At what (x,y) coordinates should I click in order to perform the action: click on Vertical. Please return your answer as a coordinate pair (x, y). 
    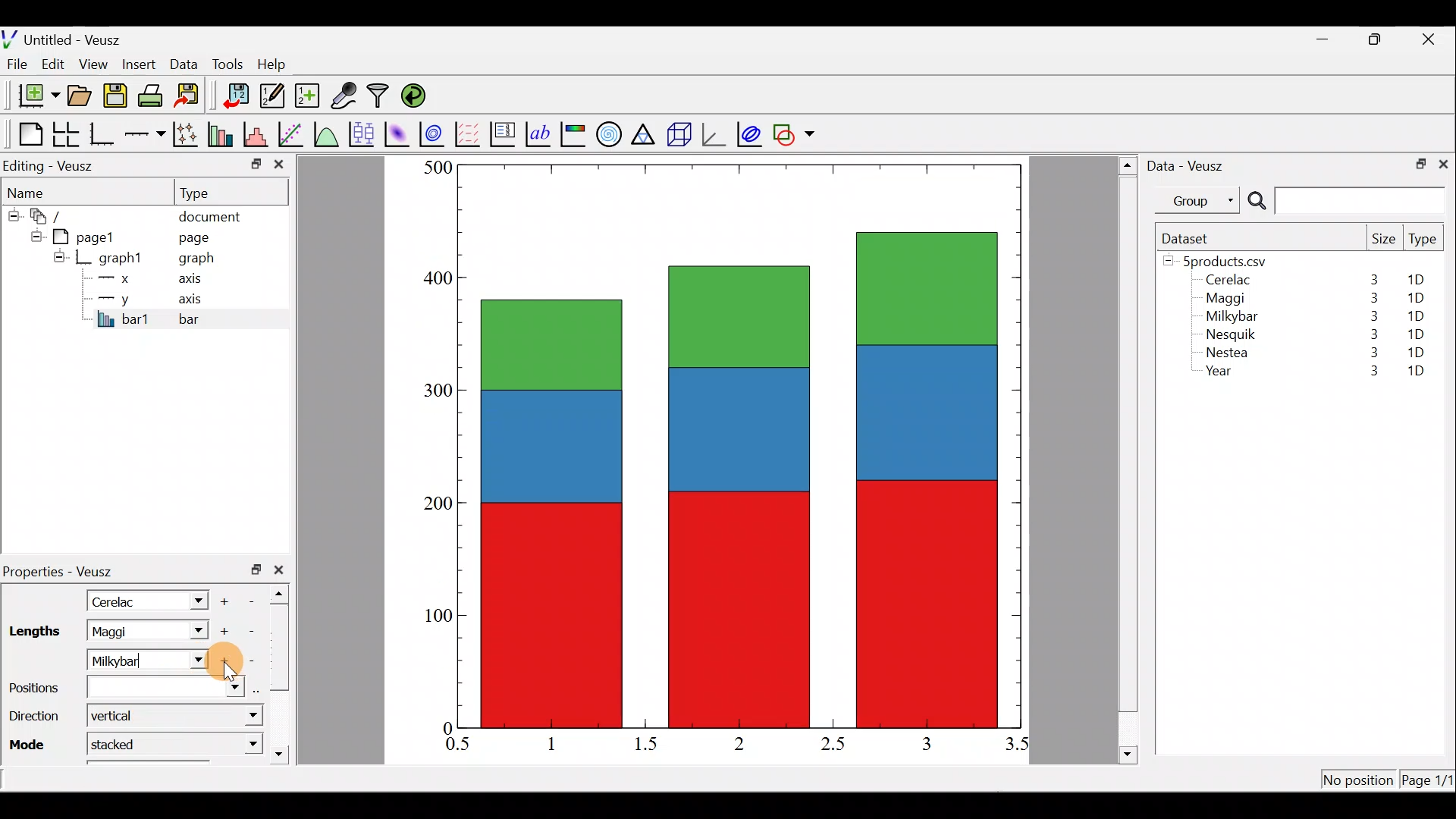
    Looking at the image, I should click on (120, 715).